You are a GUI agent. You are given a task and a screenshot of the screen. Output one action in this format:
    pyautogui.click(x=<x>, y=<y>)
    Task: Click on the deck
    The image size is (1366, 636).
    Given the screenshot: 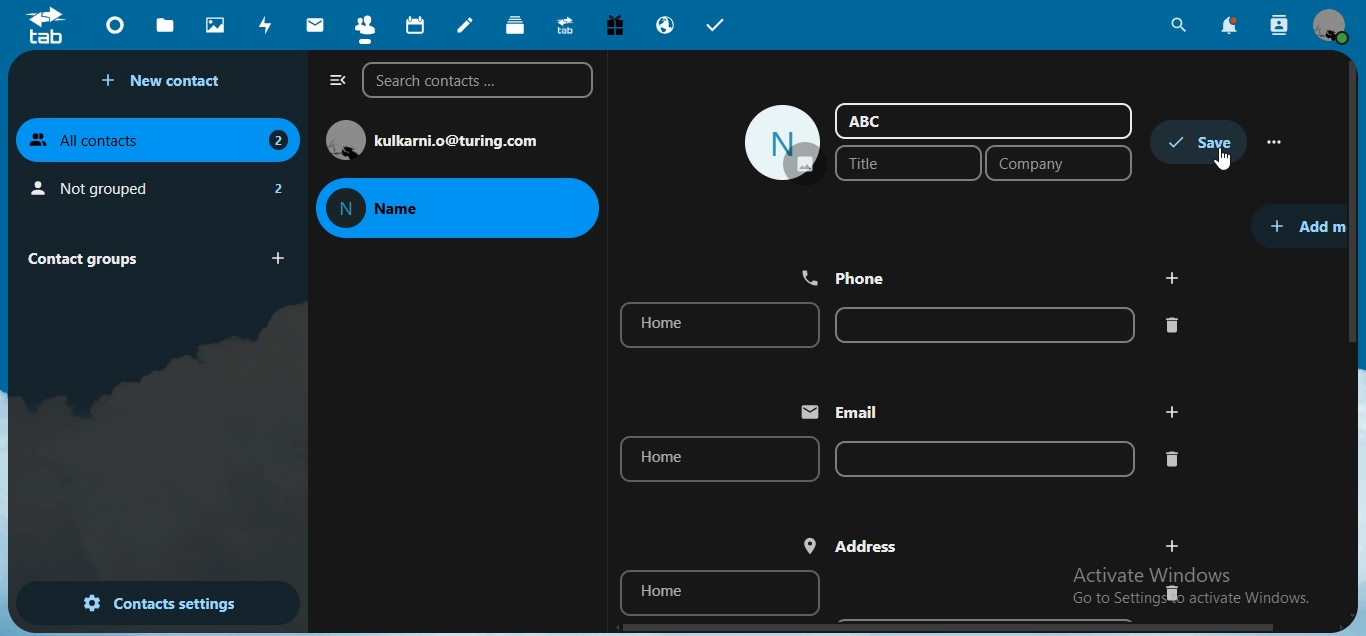 What is the action you would take?
    pyautogui.click(x=518, y=26)
    